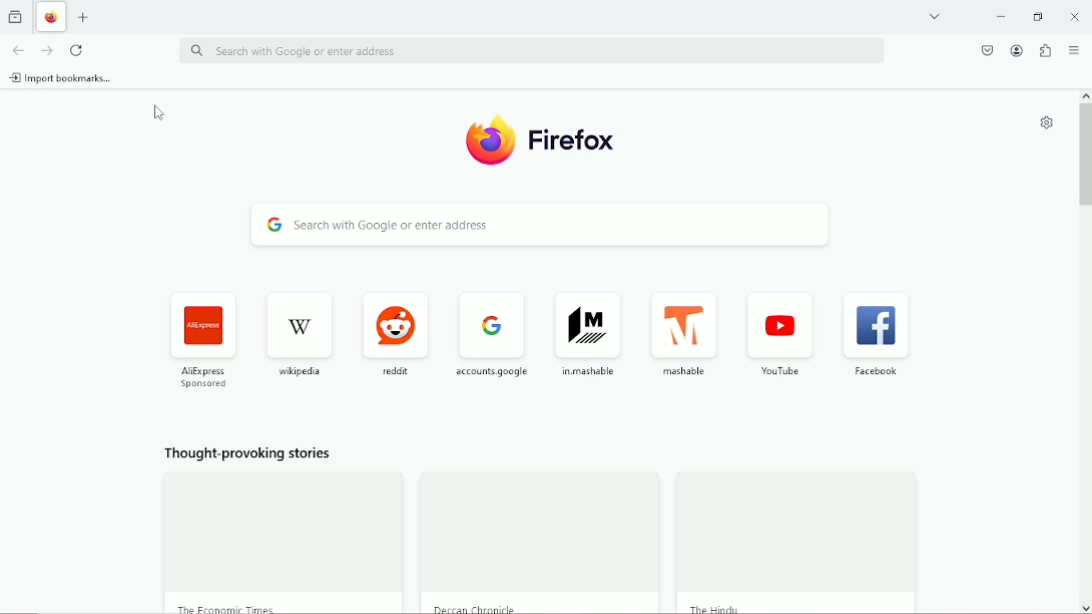  Describe the element at coordinates (689, 336) in the screenshot. I see `mashable` at that location.